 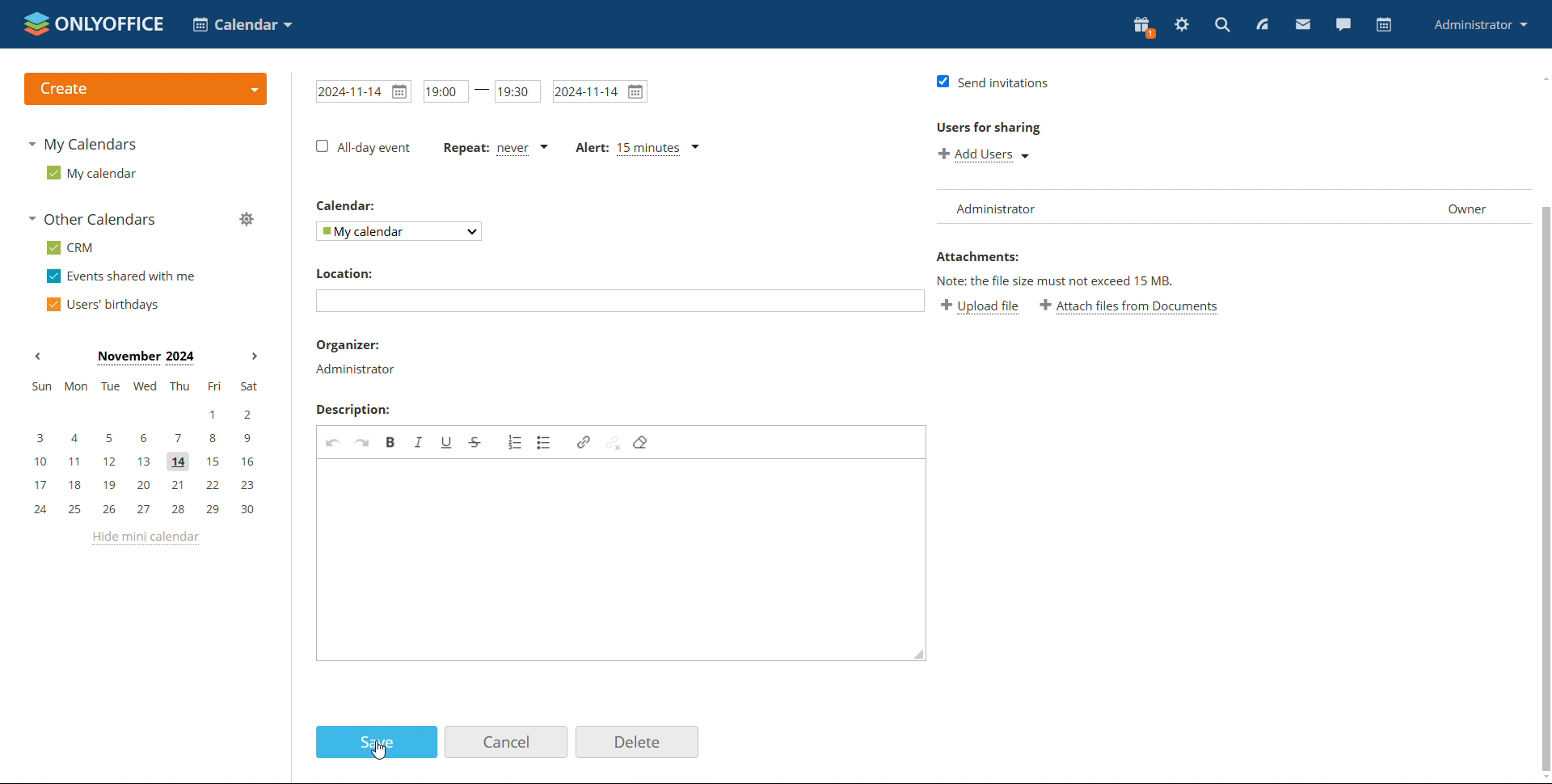 I want to click on save, so click(x=376, y=743).